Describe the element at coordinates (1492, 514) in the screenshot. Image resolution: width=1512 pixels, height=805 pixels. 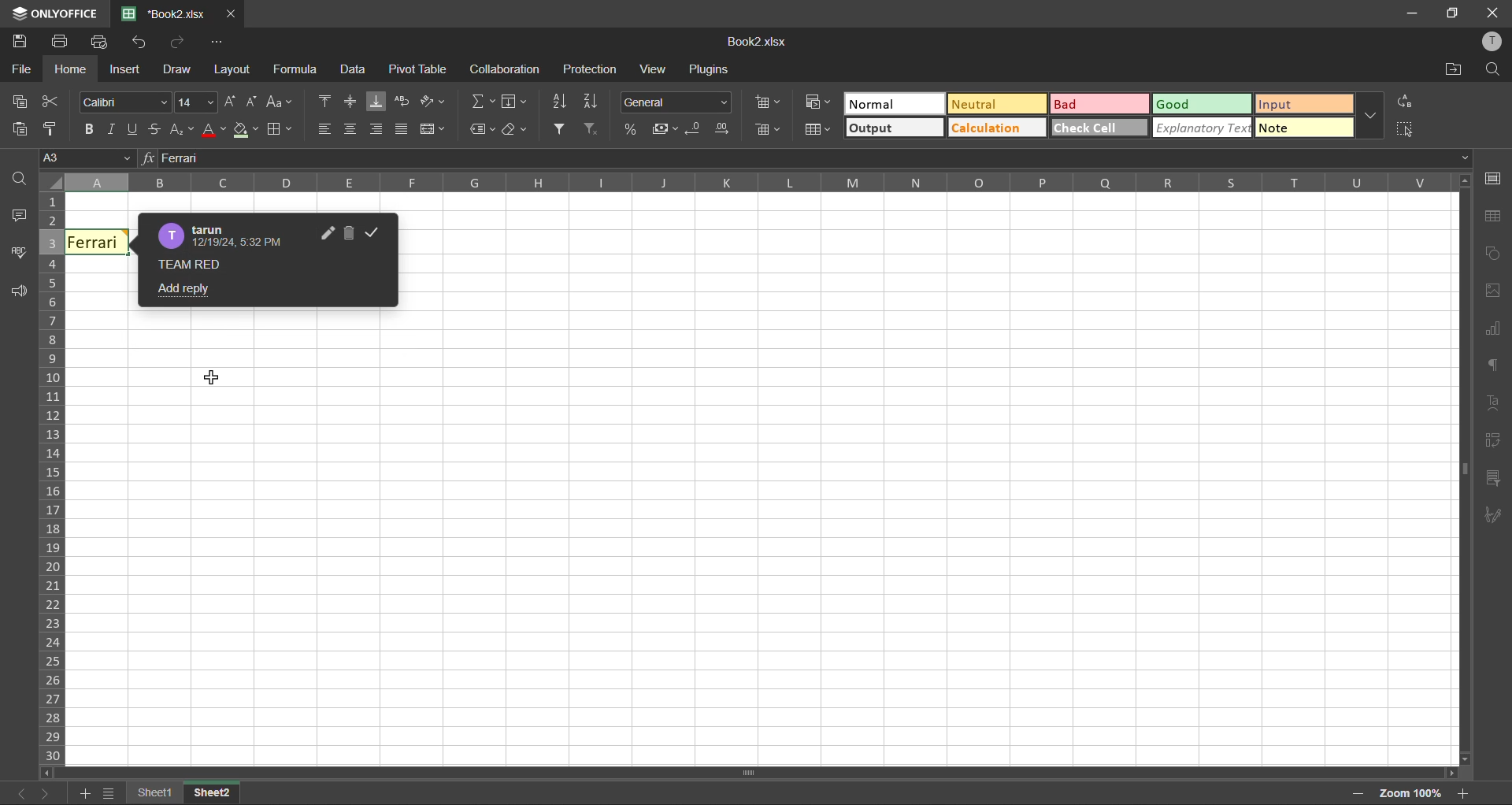
I see `signature` at that location.